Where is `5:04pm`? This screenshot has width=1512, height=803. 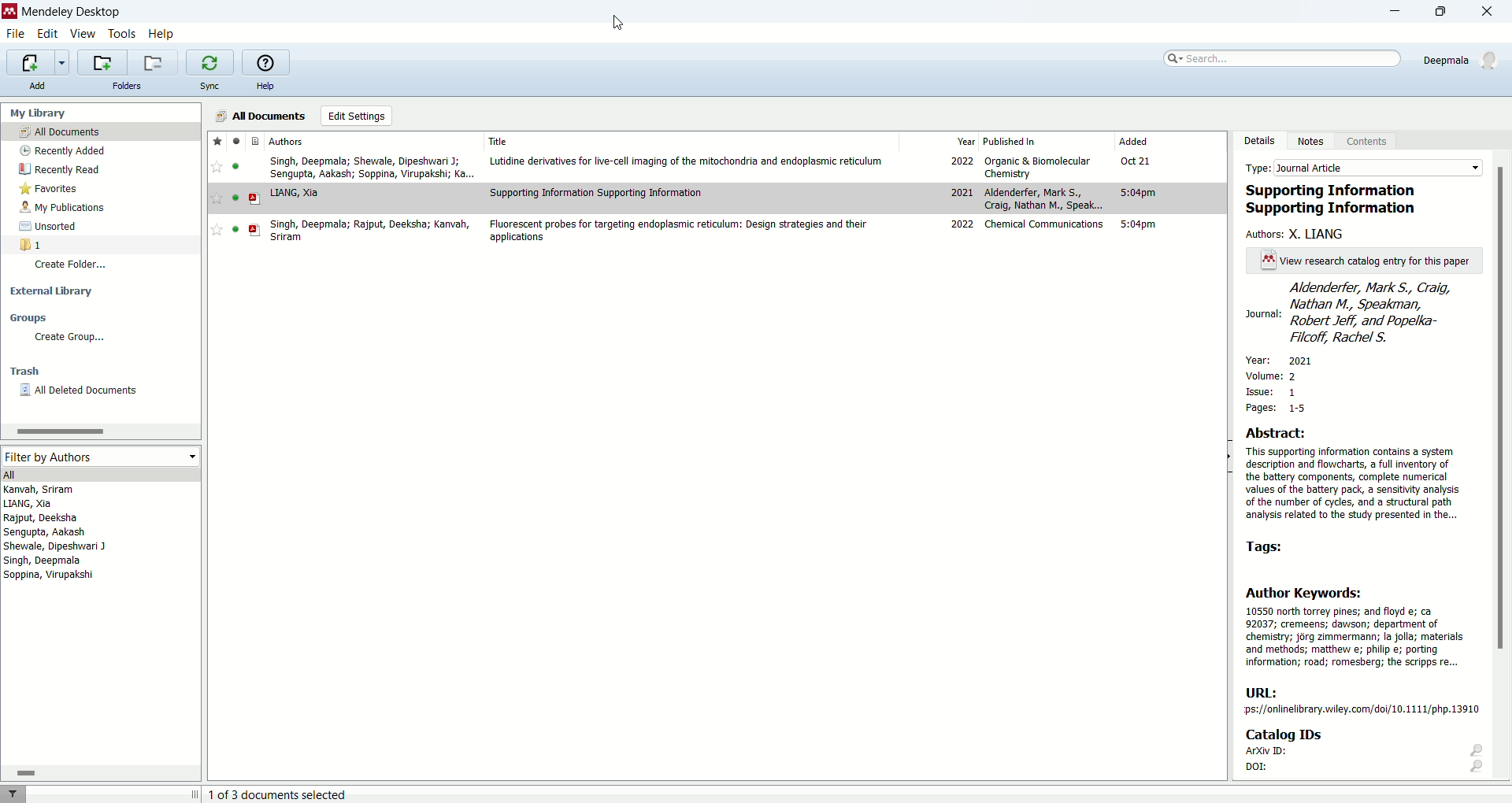
5:04pm is located at coordinates (1138, 224).